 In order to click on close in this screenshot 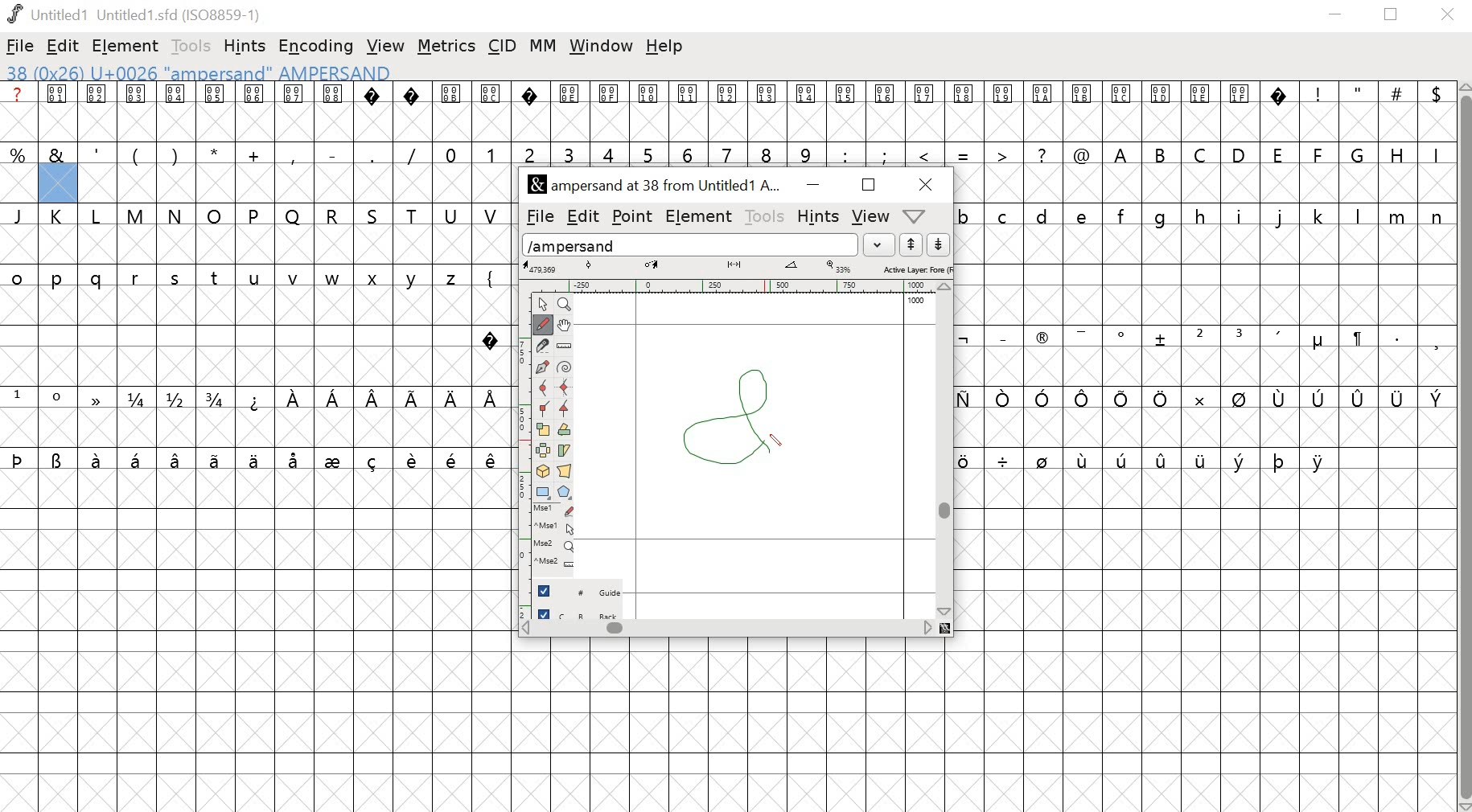, I will do `click(922, 184)`.